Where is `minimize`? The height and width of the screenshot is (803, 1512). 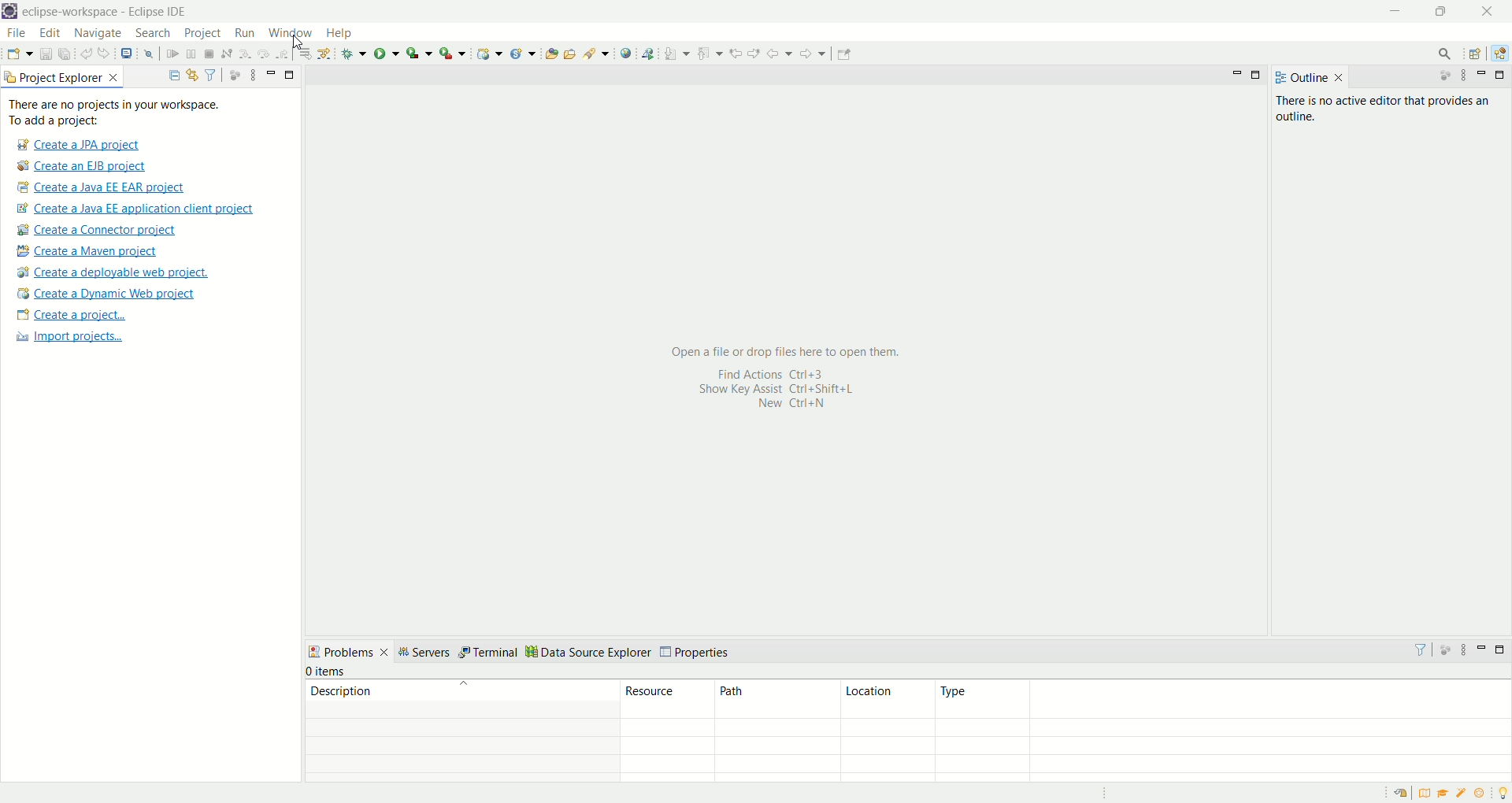 minimize is located at coordinates (1237, 73).